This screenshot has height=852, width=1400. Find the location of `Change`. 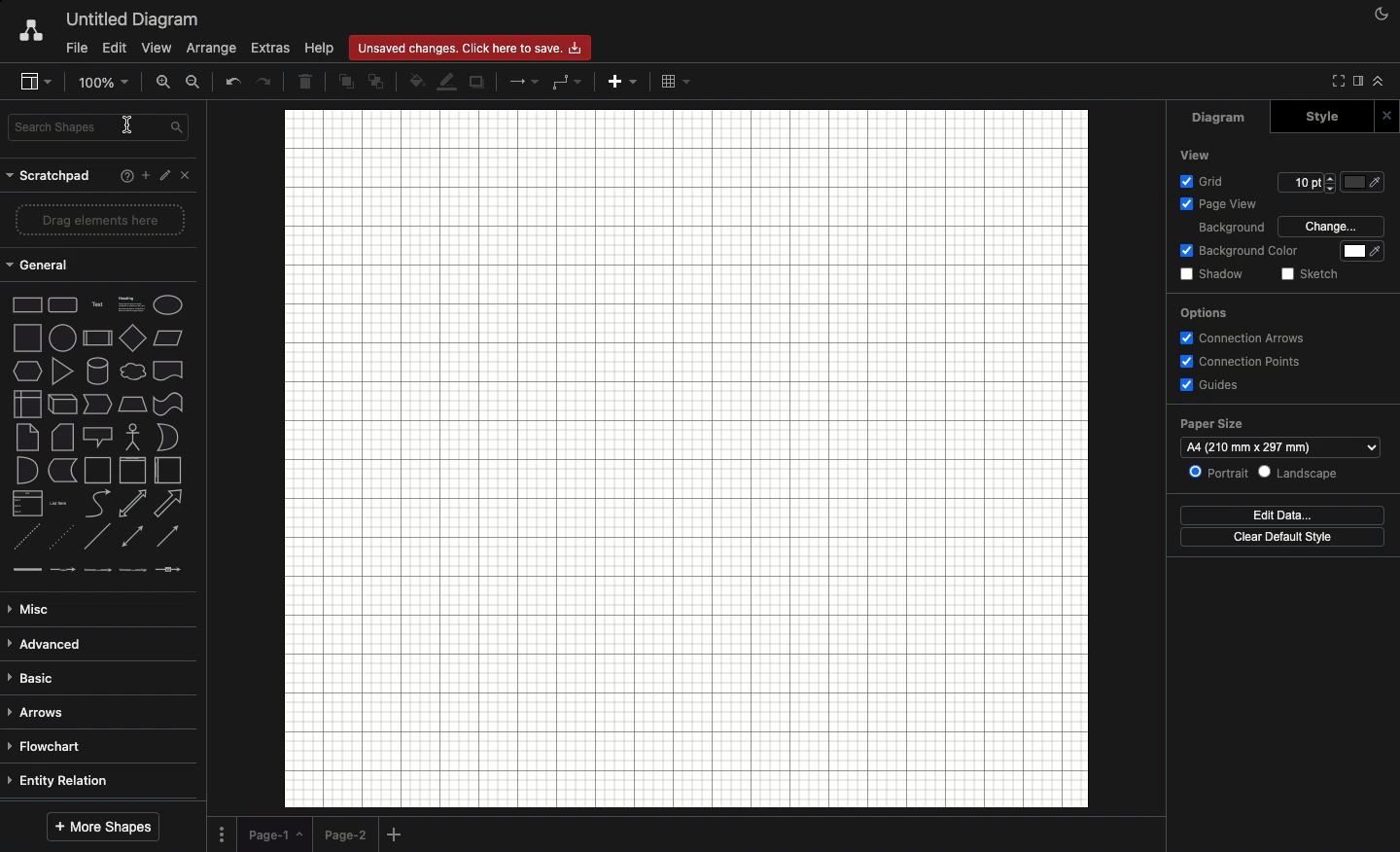

Change is located at coordinates (1335, 227).